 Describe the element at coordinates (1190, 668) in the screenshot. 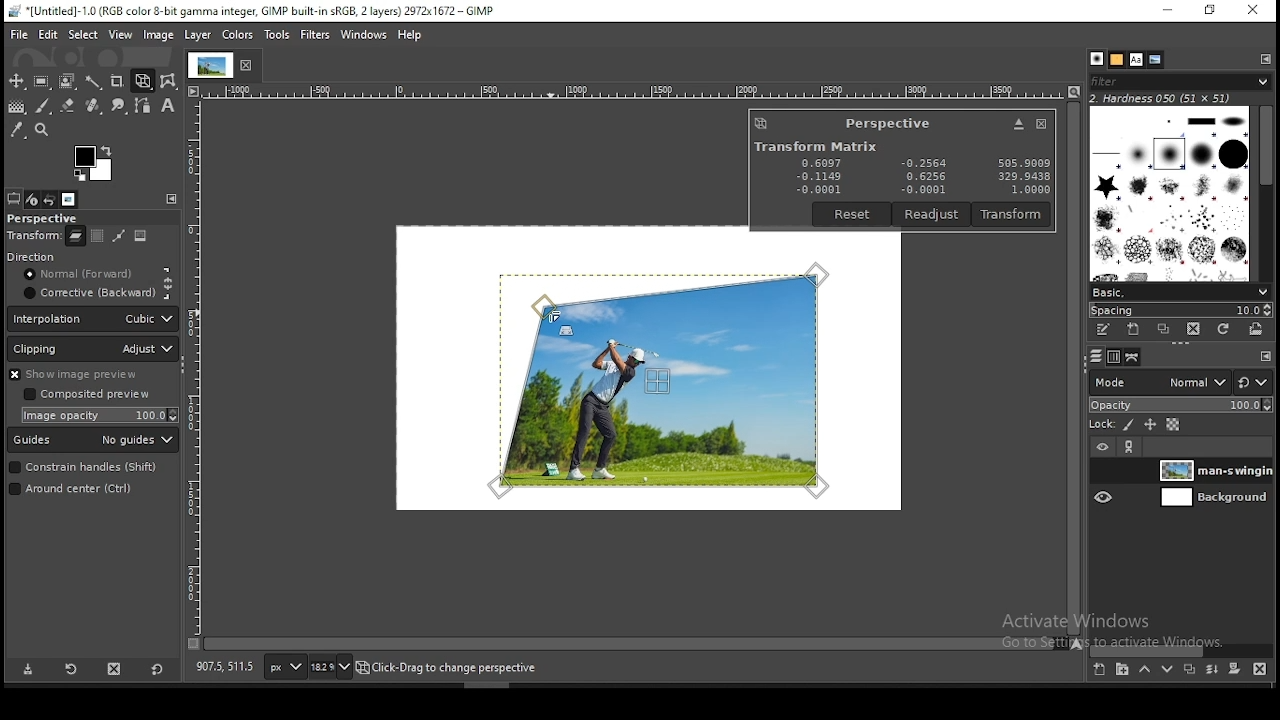

I see `duplicate layer` at that location.